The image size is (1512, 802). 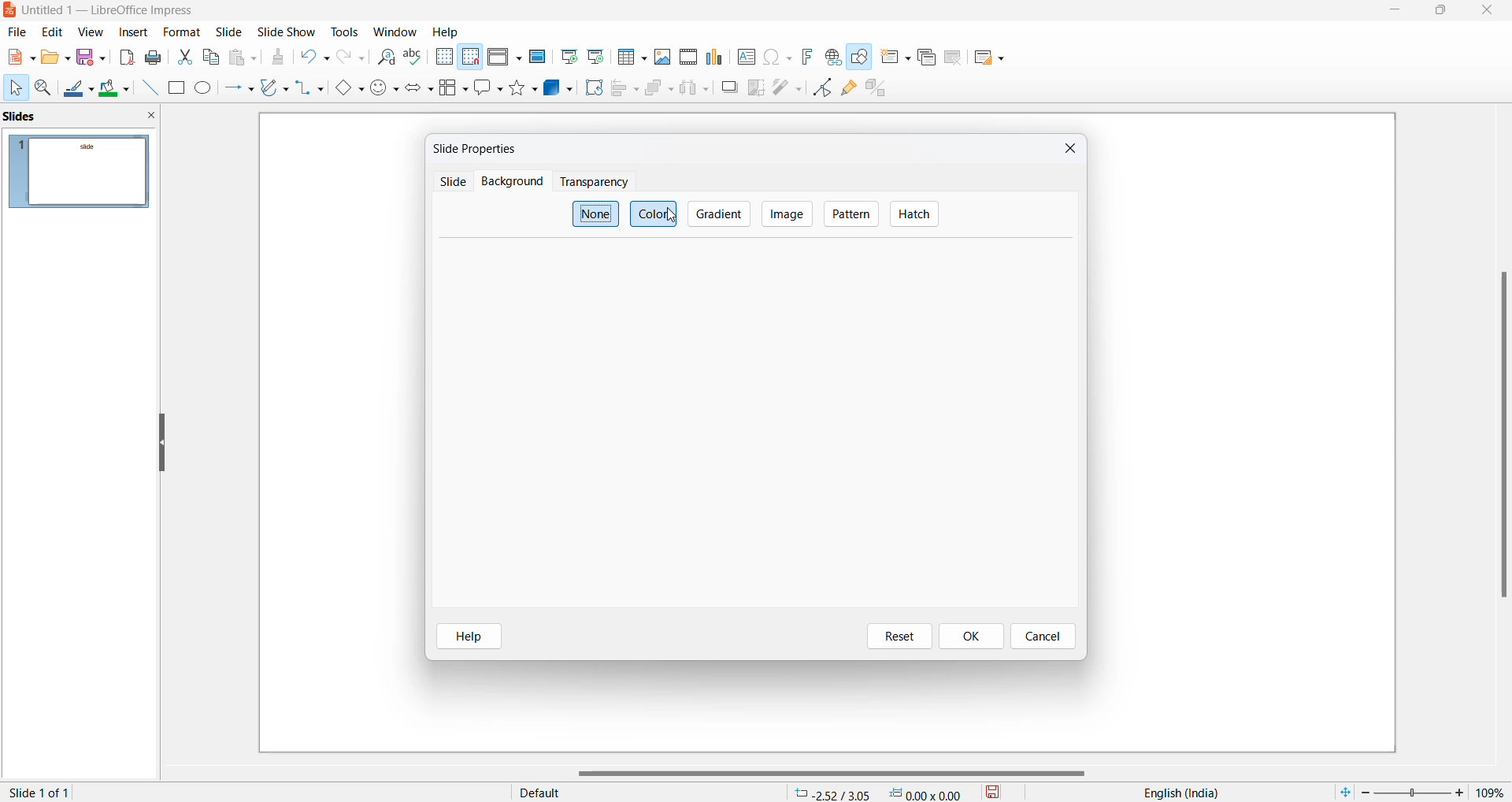 I want to click on navigation, so click(x=786, y=213).